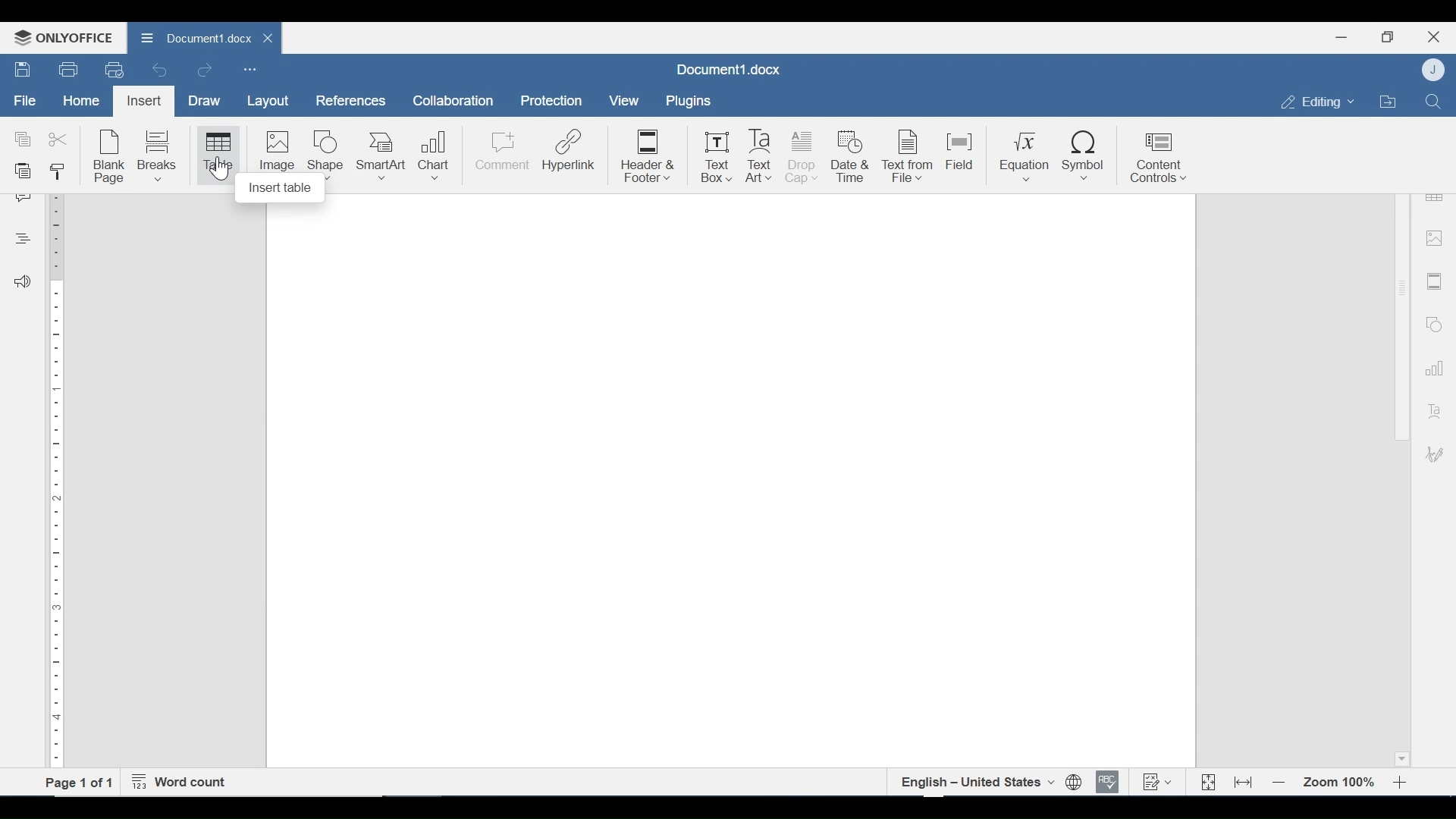 This screenshot has height=819, width=1456. What do you see at coordinates (1387, 100) in the screenshot?
I see `Open Filelocation` at bounding box center [1387, 100].